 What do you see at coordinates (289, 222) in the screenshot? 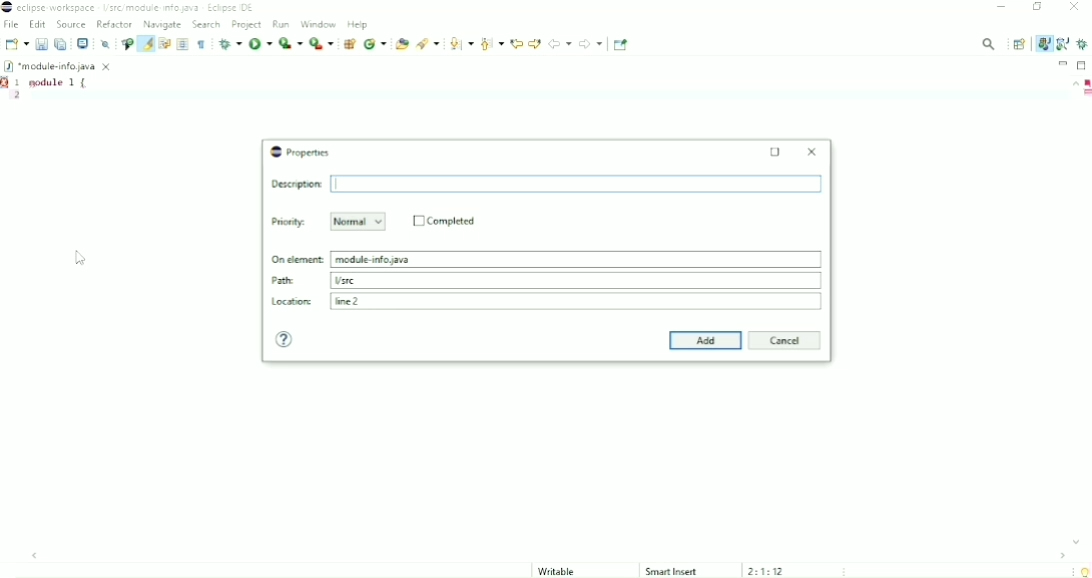
I see `Priority` at bounding box center [289, 222].